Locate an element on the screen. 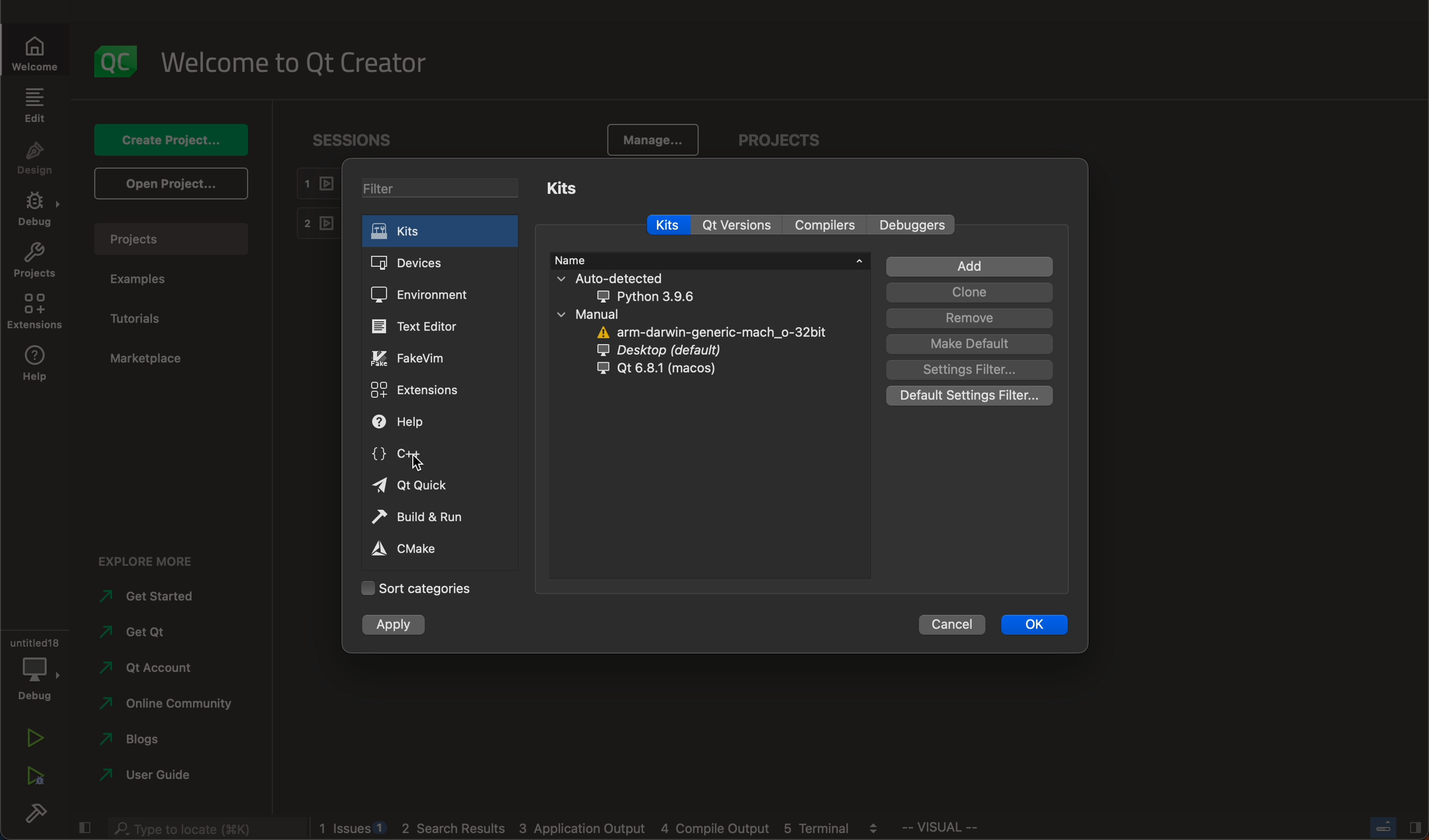 The width and height of the screenshot is (1429, 840). welcome is located at coordinates (302, 61).